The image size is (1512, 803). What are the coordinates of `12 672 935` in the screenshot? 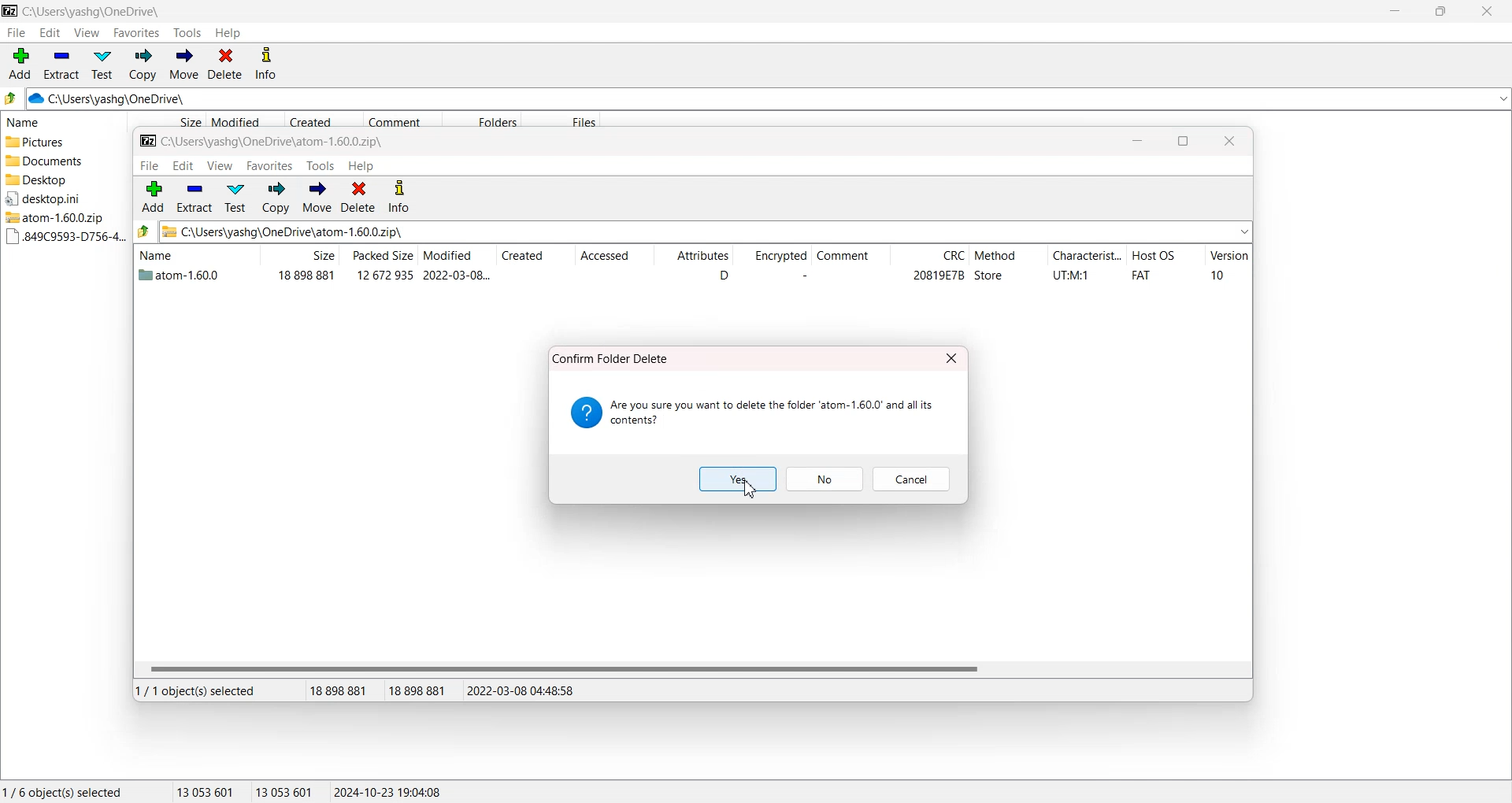 It's located at (385, 275).